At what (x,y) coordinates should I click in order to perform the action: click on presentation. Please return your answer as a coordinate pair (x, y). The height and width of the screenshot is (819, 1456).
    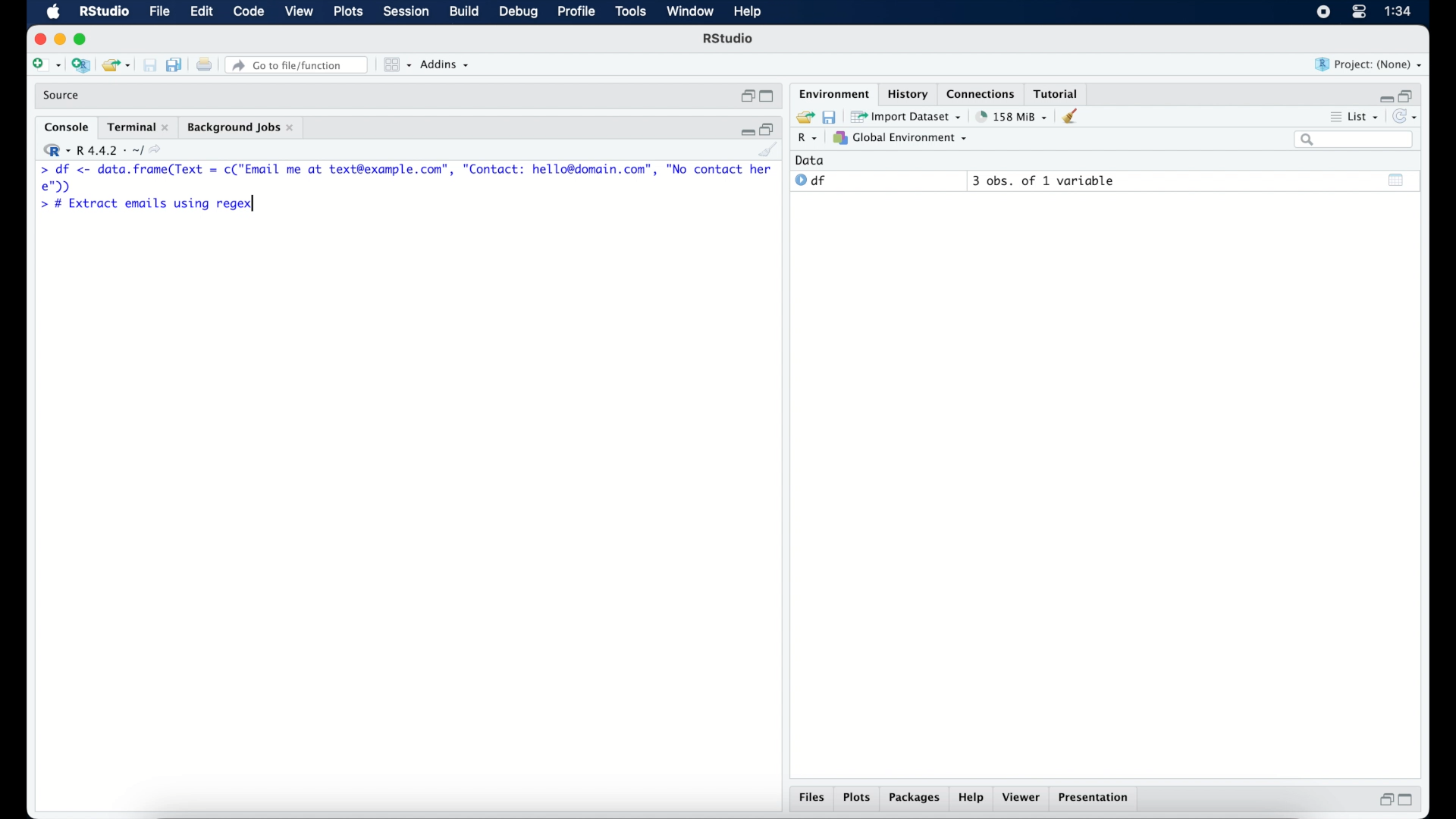
    Looking at the image, I should click on (1096, 799).